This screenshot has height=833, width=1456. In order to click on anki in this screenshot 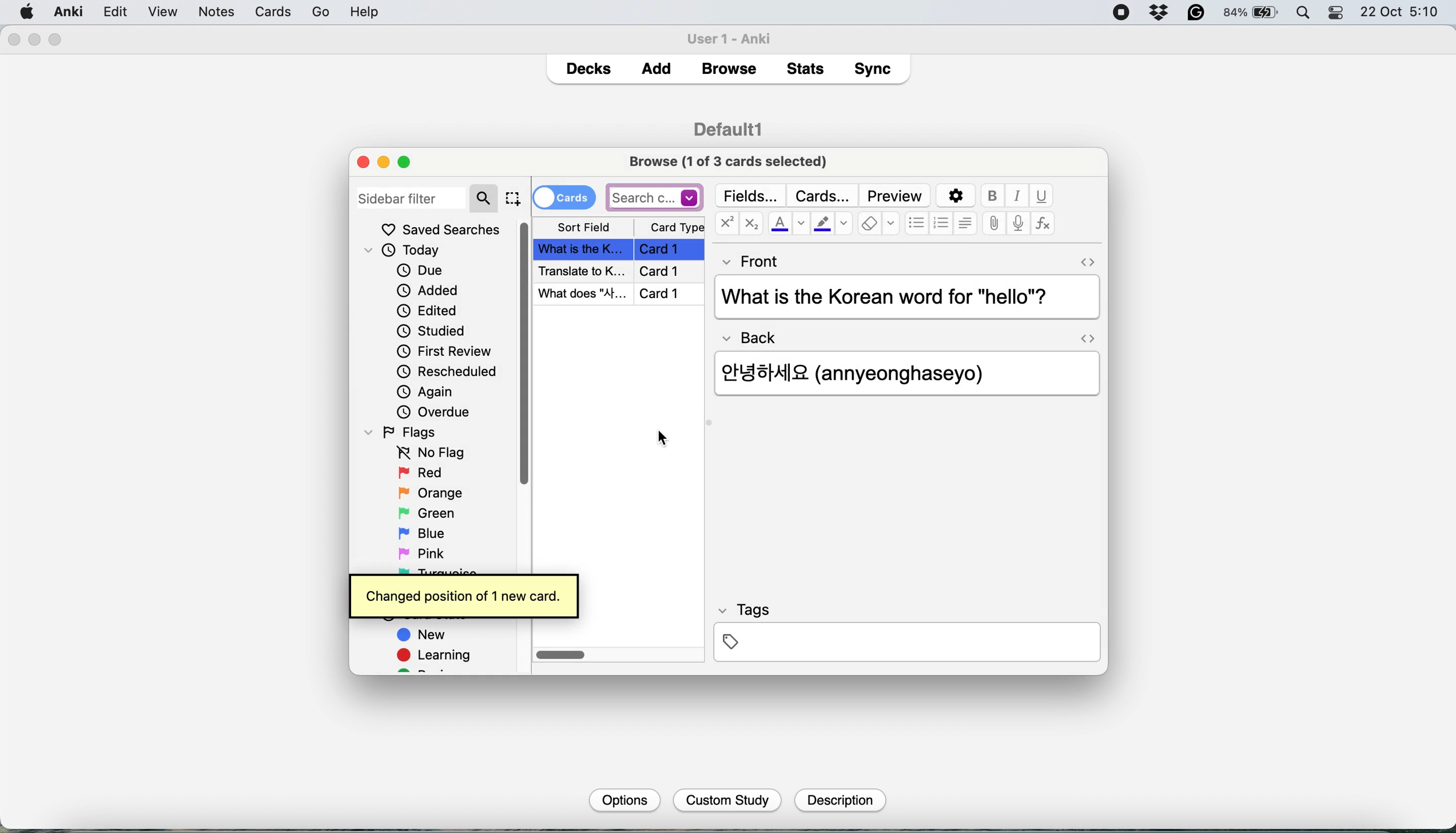, I will do `click(70, 11)`.